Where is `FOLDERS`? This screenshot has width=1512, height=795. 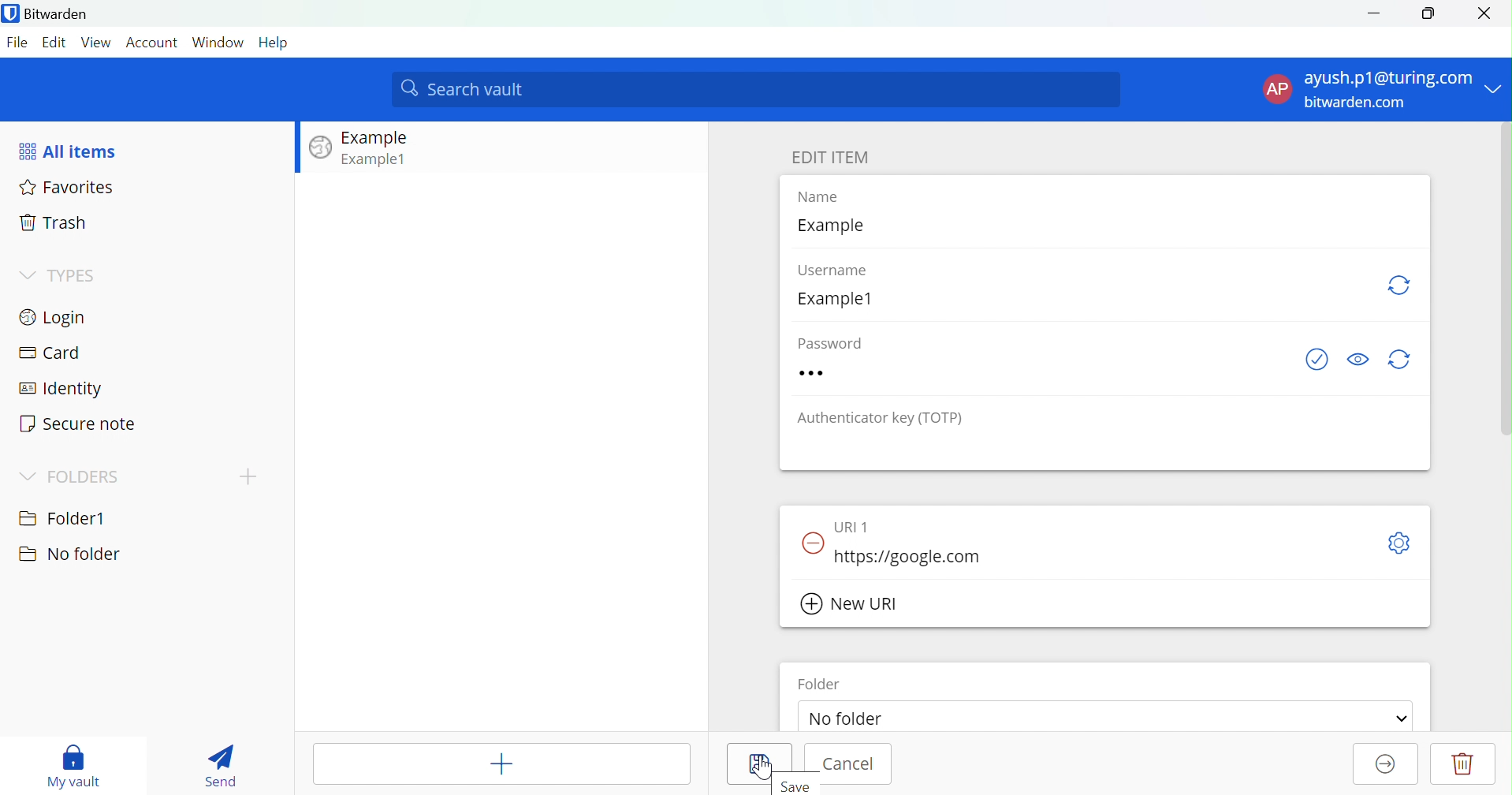 FOLDERS is located at coordinates (84, 478).